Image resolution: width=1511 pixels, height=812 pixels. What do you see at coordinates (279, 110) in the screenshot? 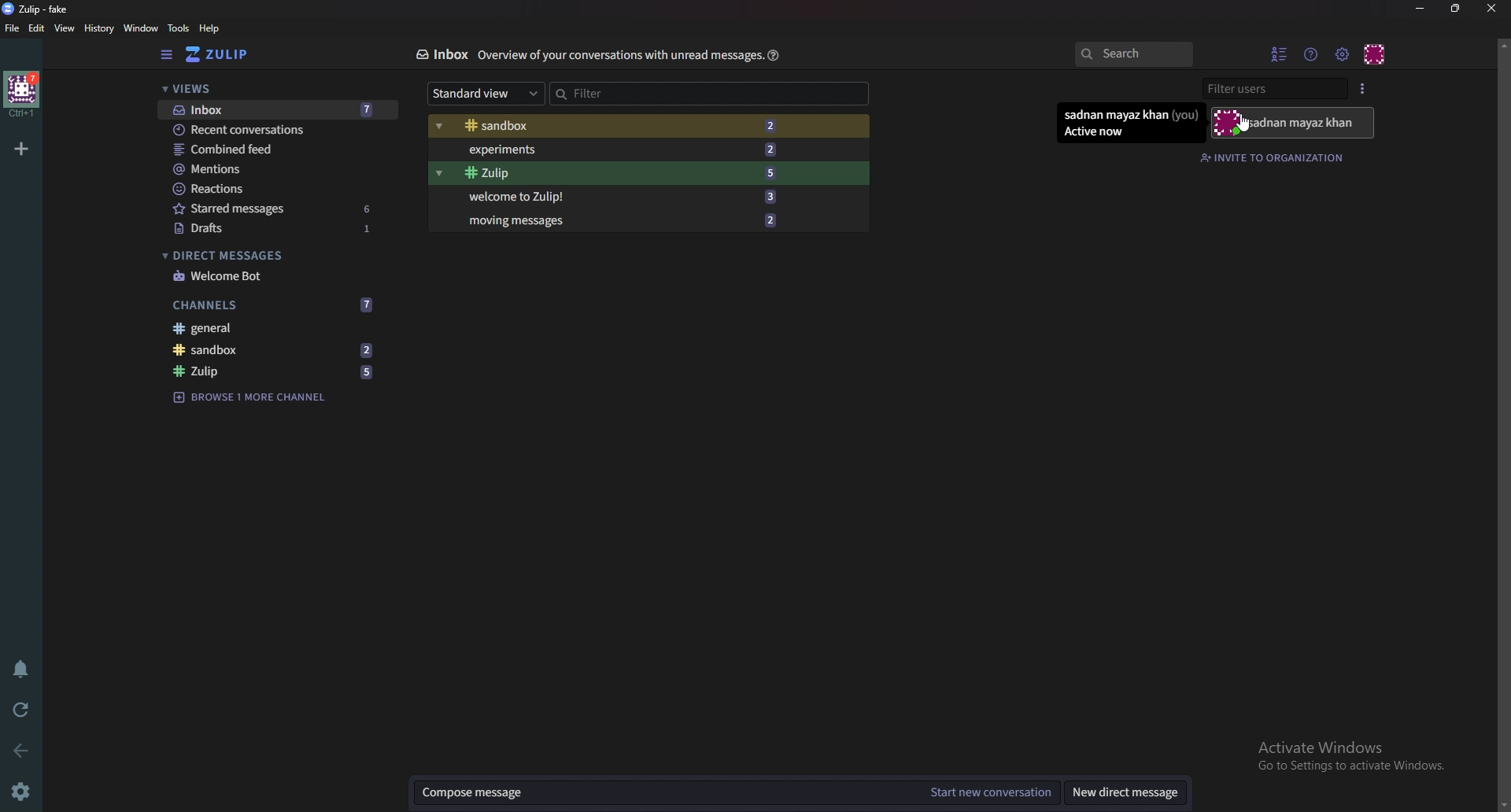
I see `Inbox` at bounding box center [279, 110].